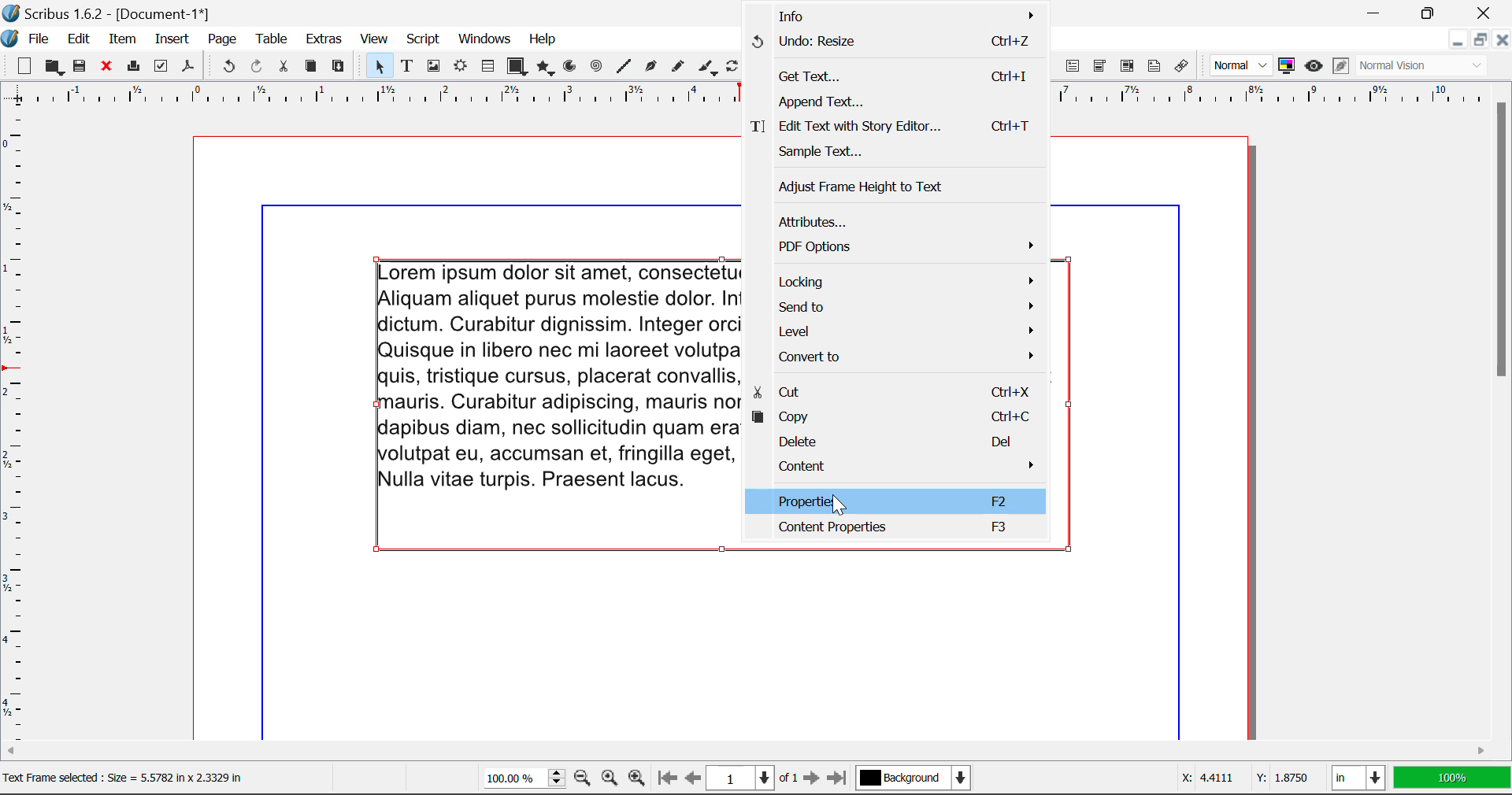  Describe the element at coordinates (1503, 411) in the screenshot. I see `Scroll Bar` at that location.